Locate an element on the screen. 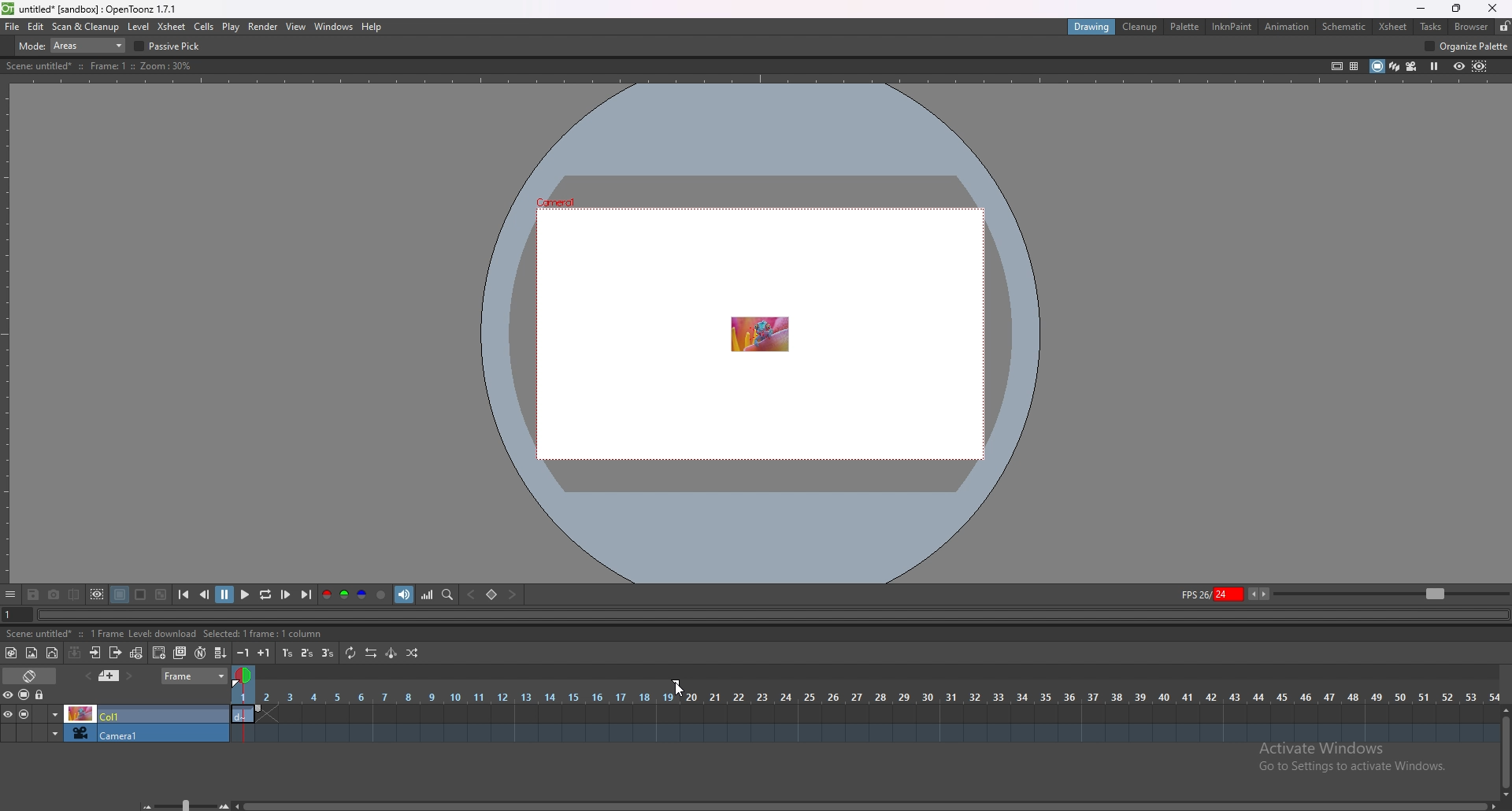 The image size is (1512, 811). set key is located at coordinates (493, 594).